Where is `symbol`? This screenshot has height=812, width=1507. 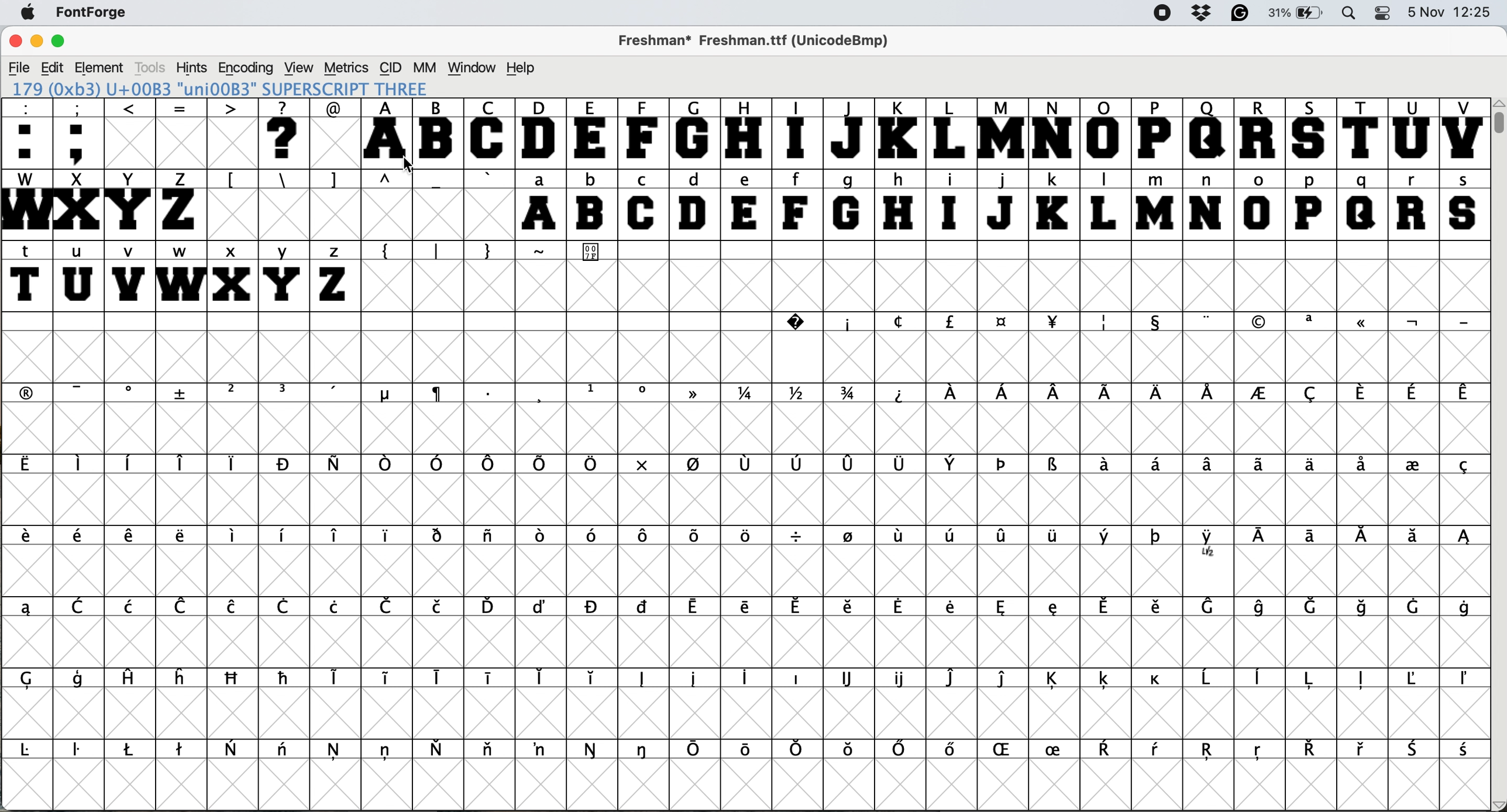
symbol is located at coordinates (954, 392).